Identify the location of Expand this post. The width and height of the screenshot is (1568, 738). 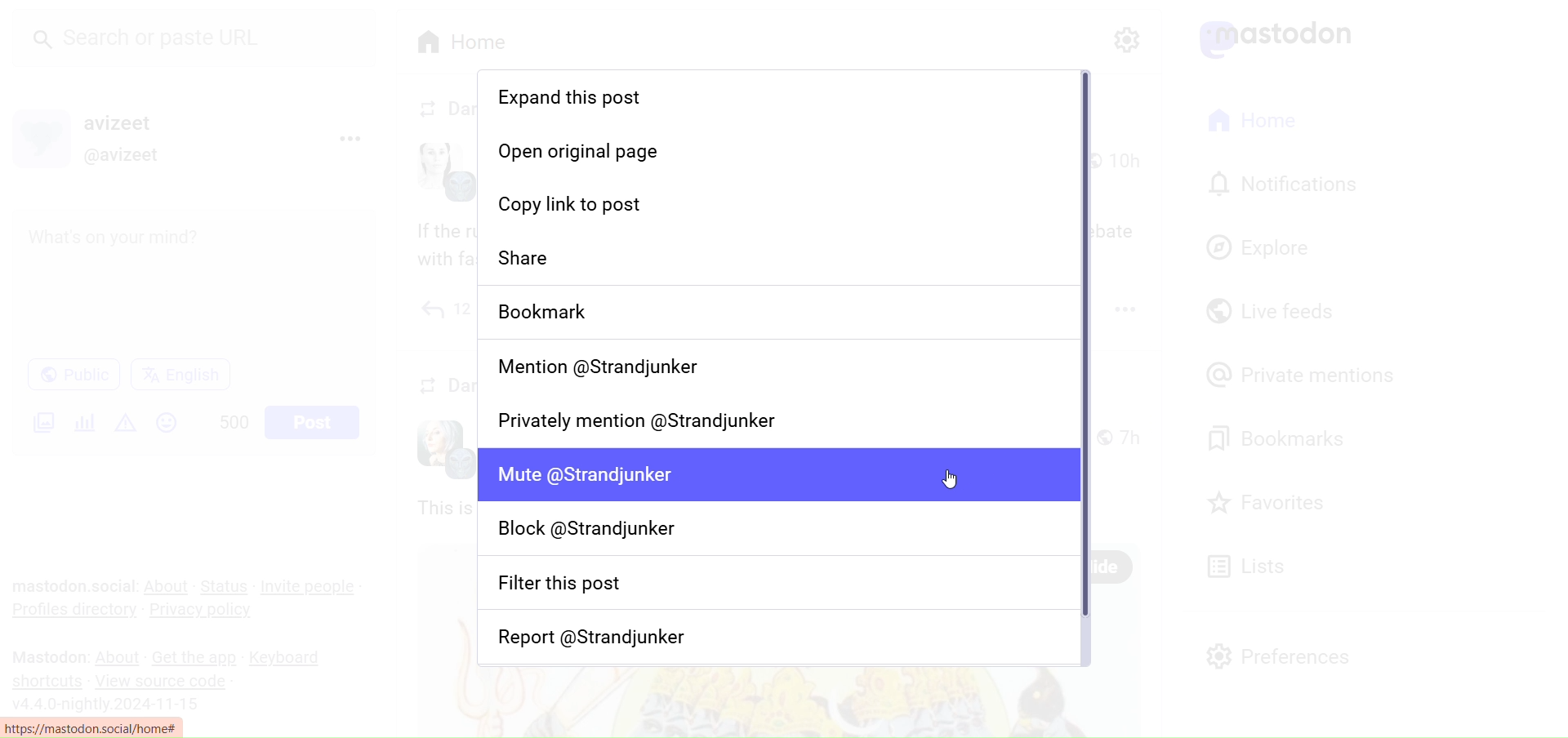
(770, 97).